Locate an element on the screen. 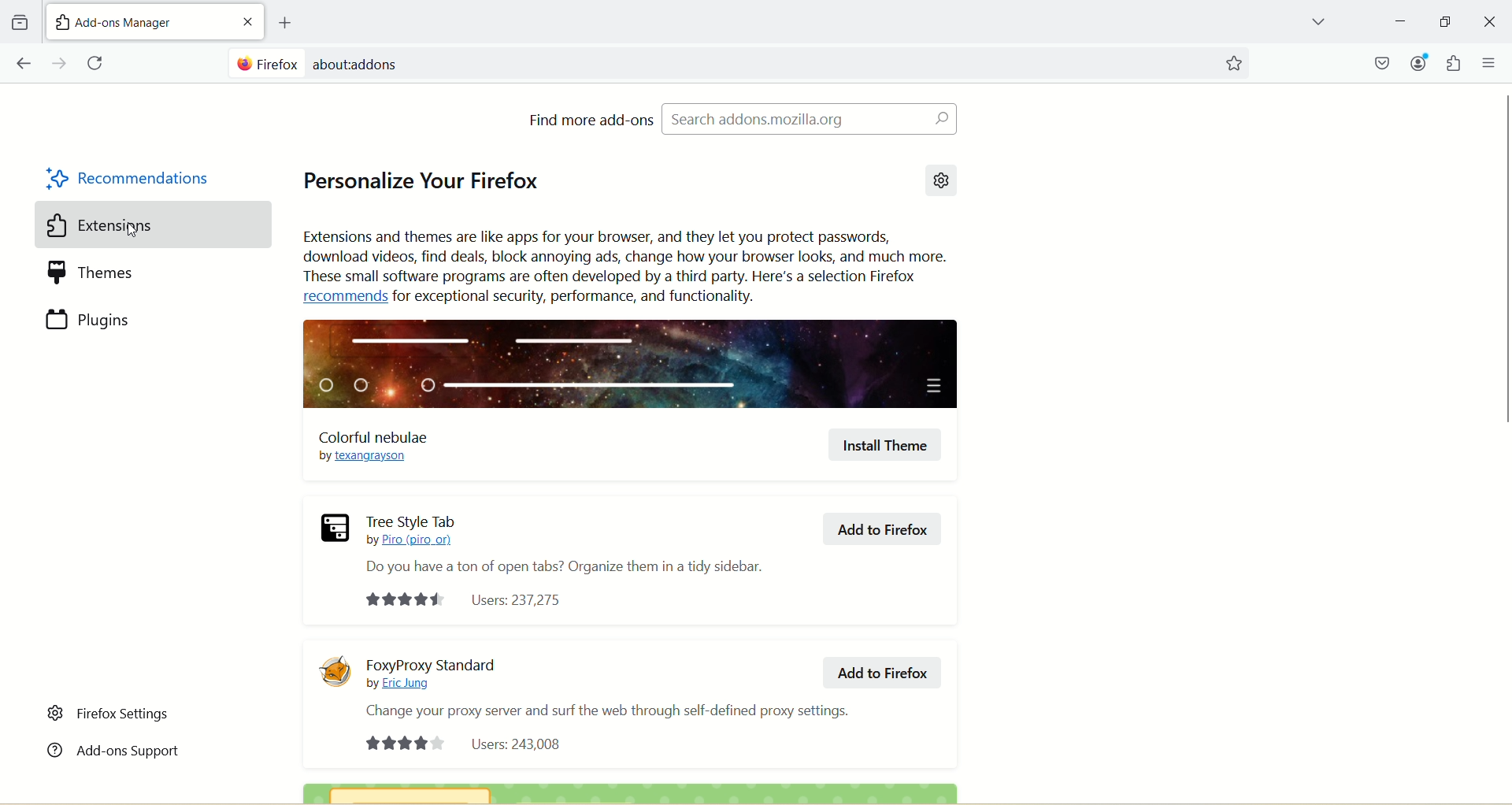  Search Addons.Mozilla.org is located at coordinates (809, 118).